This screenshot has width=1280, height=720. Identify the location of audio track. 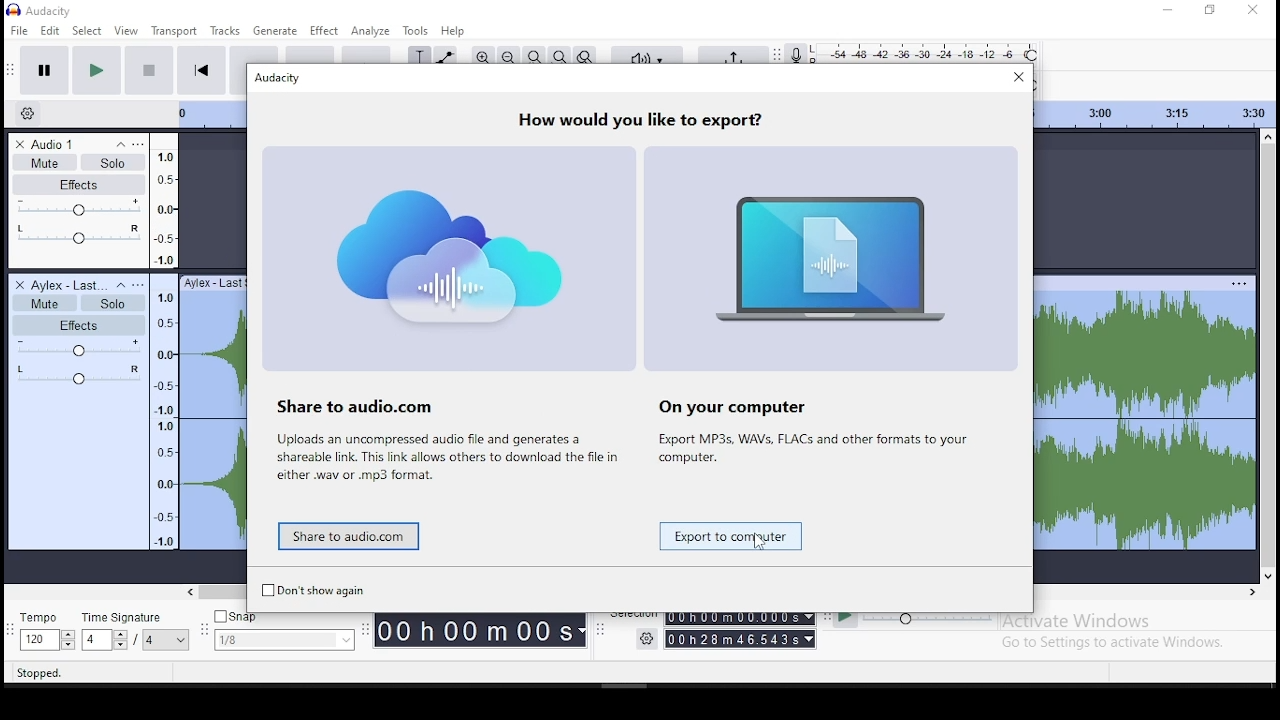
(1144, 415).